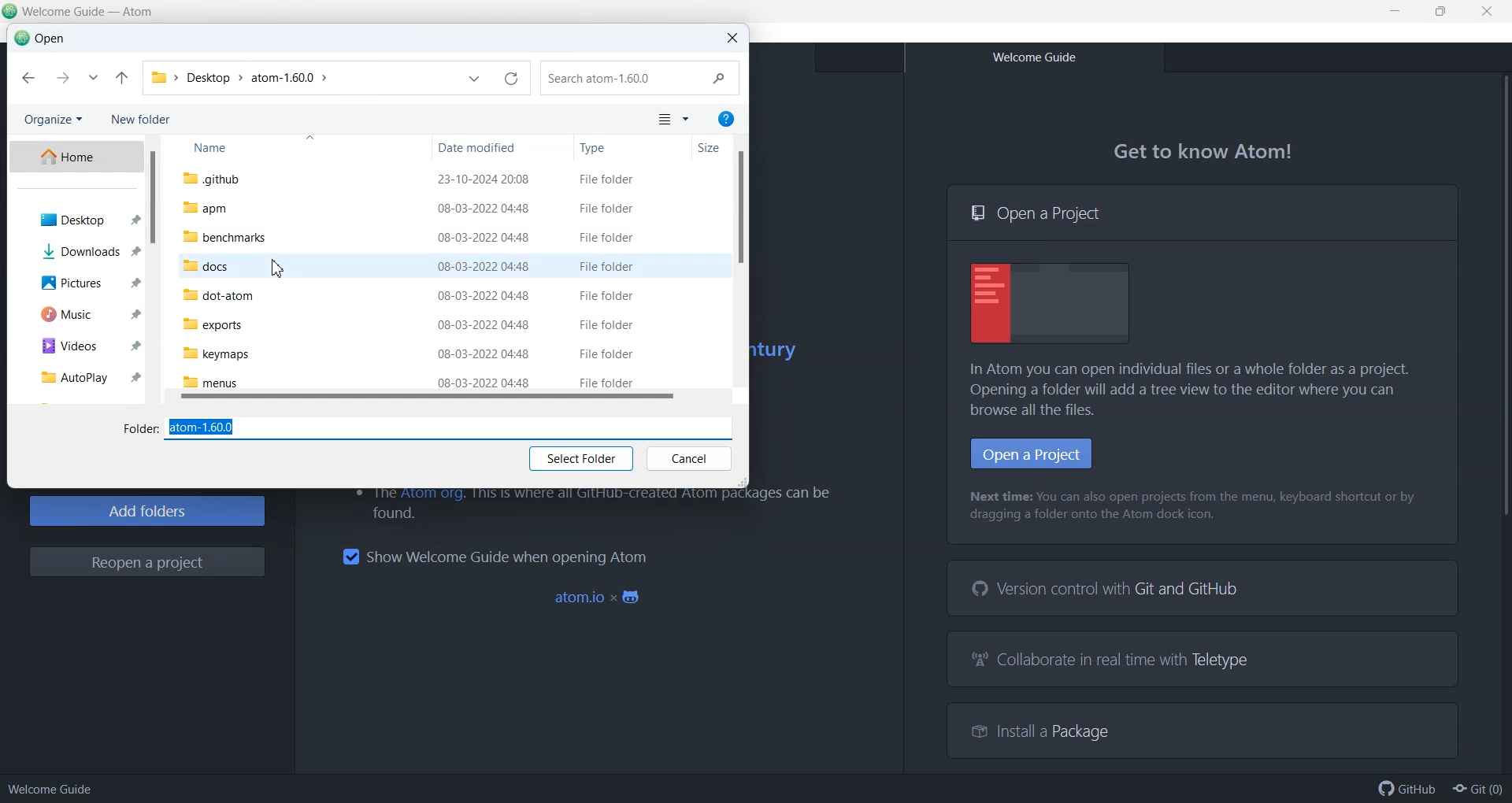 The width and height of the screenshot is (1512, 803). I want to click on atom-1.60.0, so click(454, 427).